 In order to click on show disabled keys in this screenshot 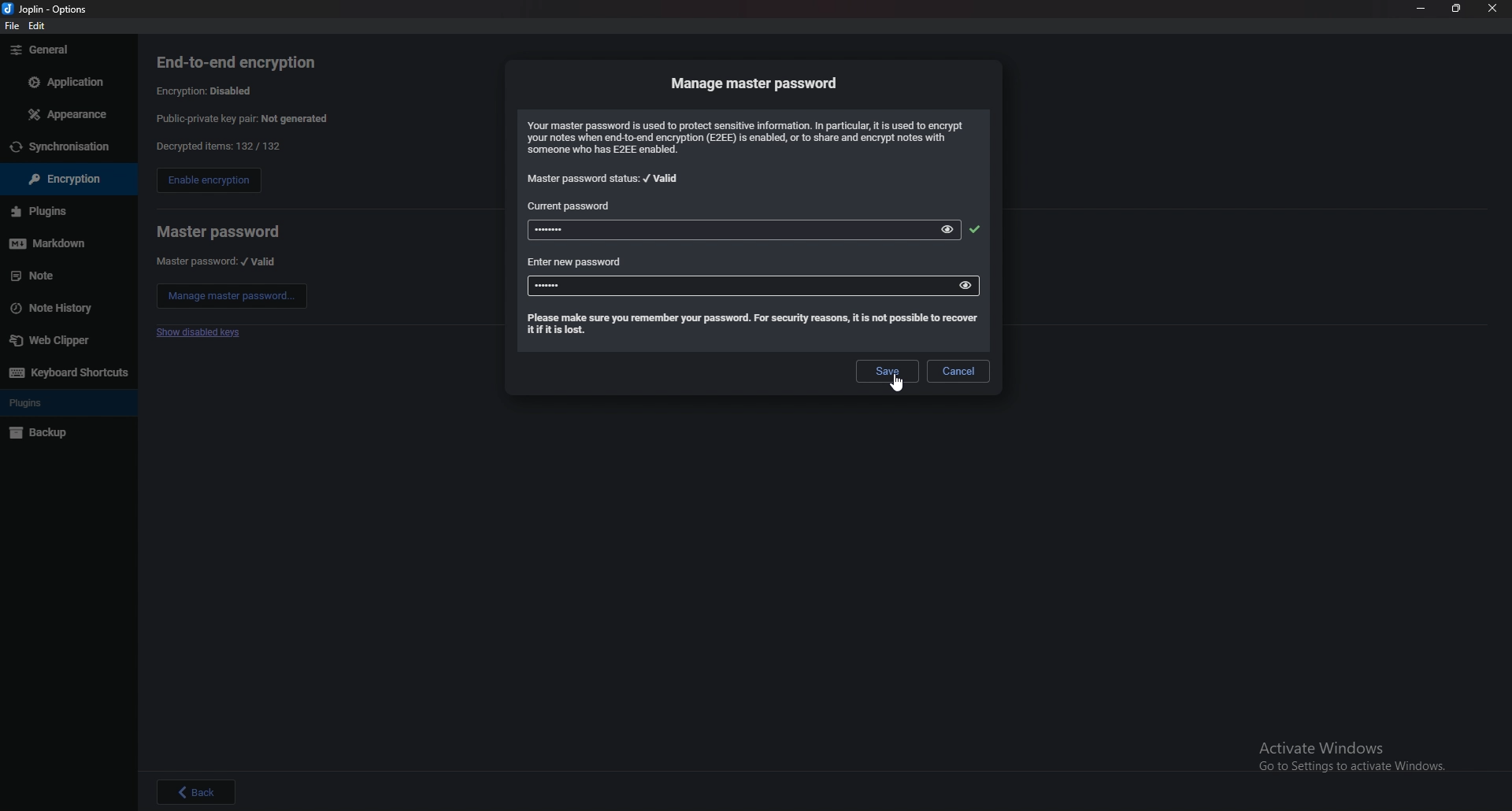, I will do `click(202, 333)`.